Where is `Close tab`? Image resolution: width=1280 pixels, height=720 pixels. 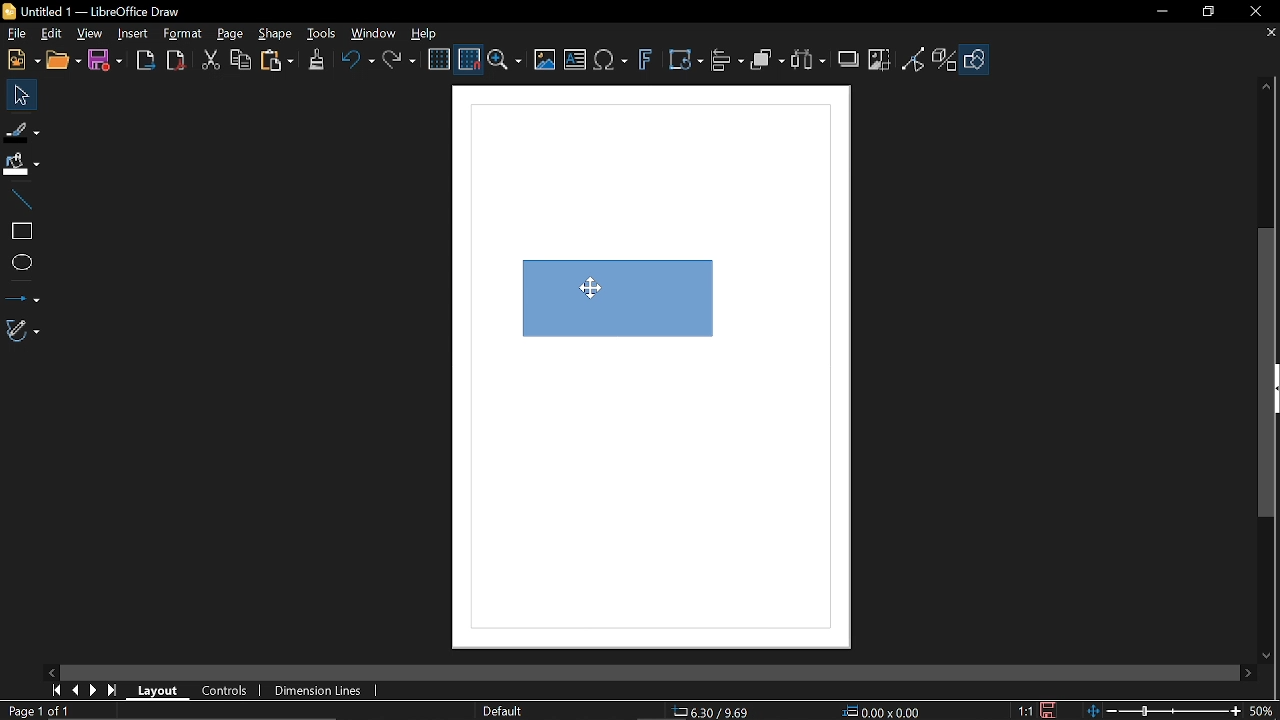 Close tab is located at coordinates (1269, 34).